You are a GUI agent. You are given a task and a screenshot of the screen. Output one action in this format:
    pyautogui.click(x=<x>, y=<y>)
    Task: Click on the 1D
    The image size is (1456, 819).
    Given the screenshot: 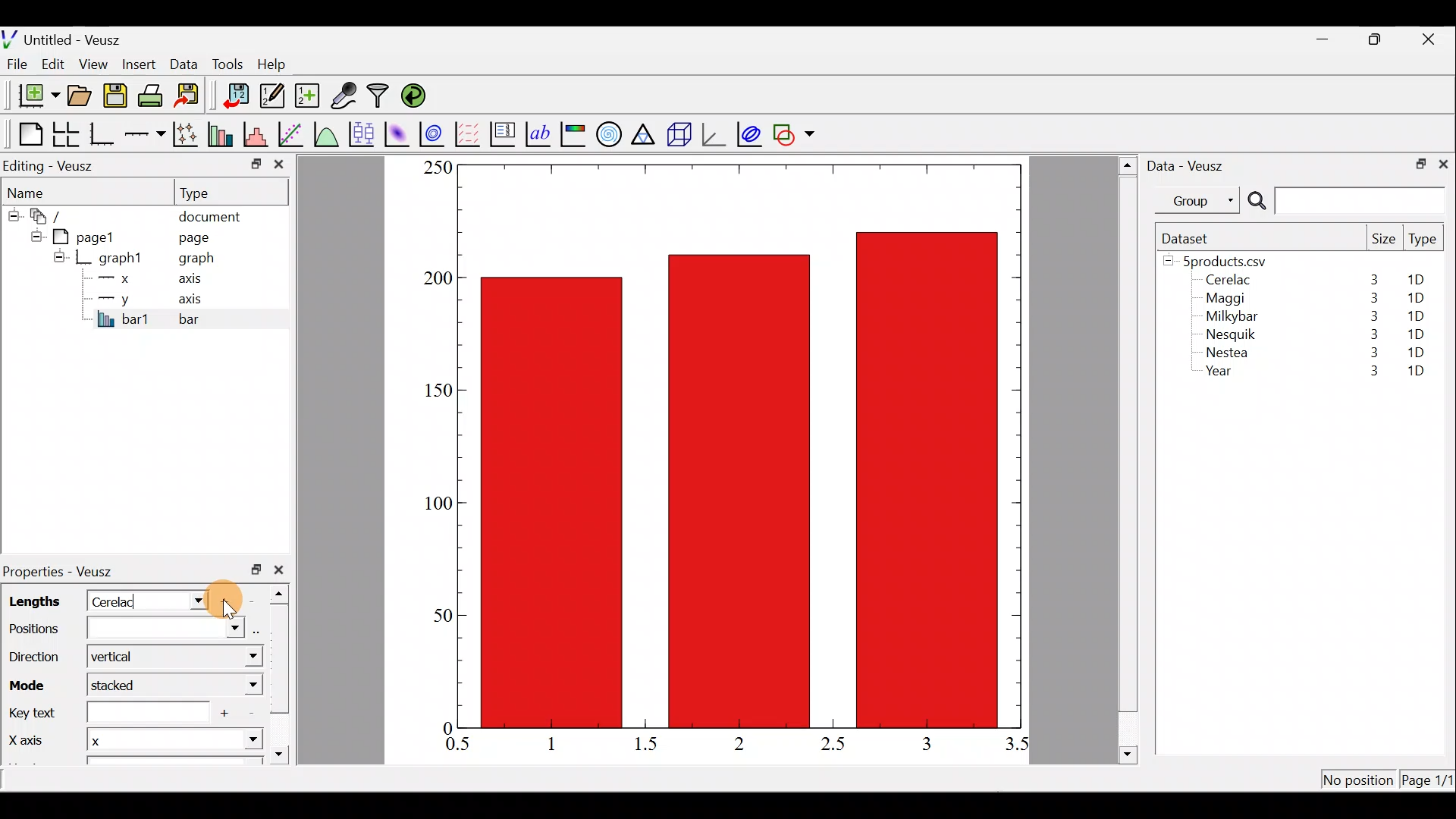 What is the action you would take?
    pyautogui.click(x=1418, y=331)
    